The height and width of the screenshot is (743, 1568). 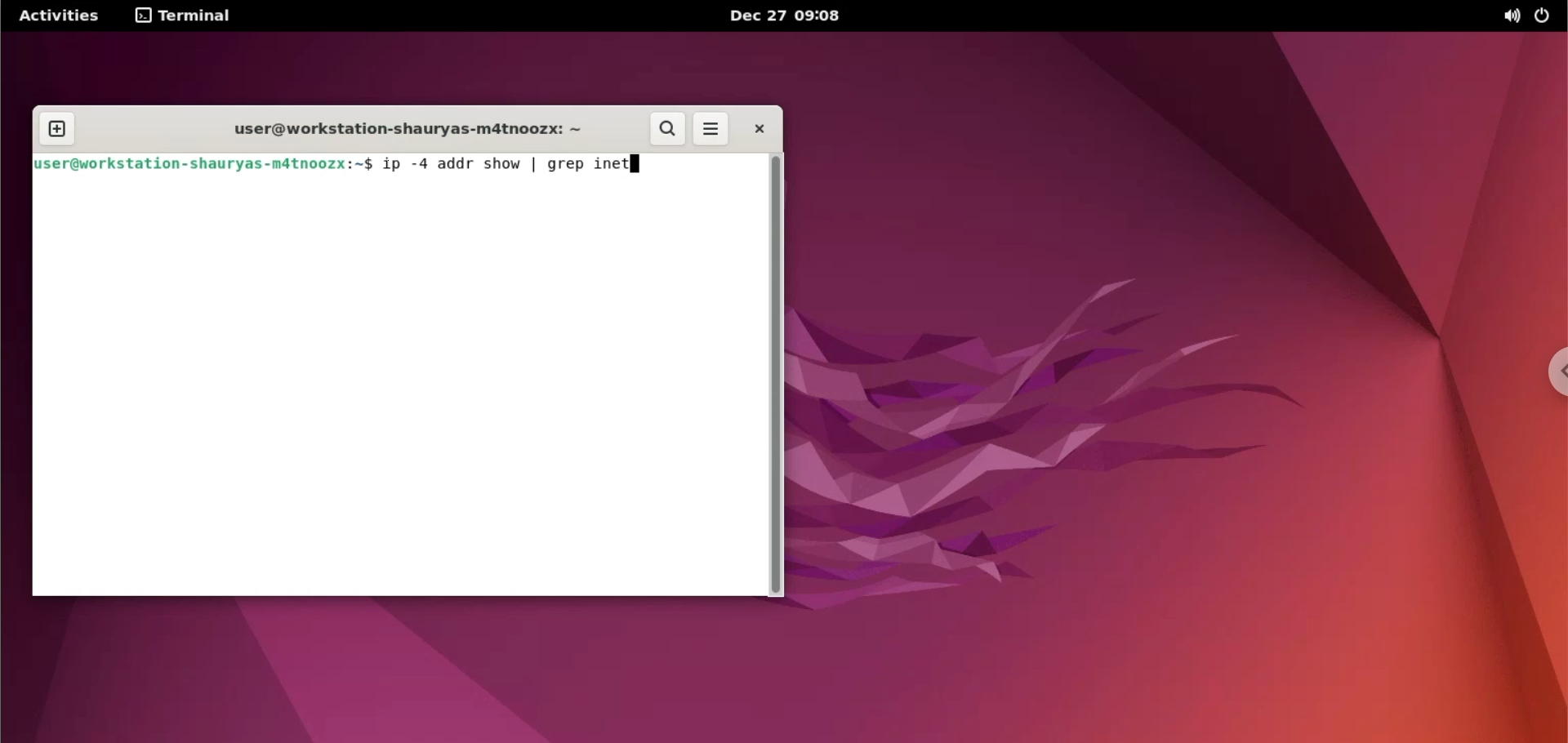 What do you see at coordinates (399, 388) in the screenshot?
I see `command input box` at bounding box center [399, 388].